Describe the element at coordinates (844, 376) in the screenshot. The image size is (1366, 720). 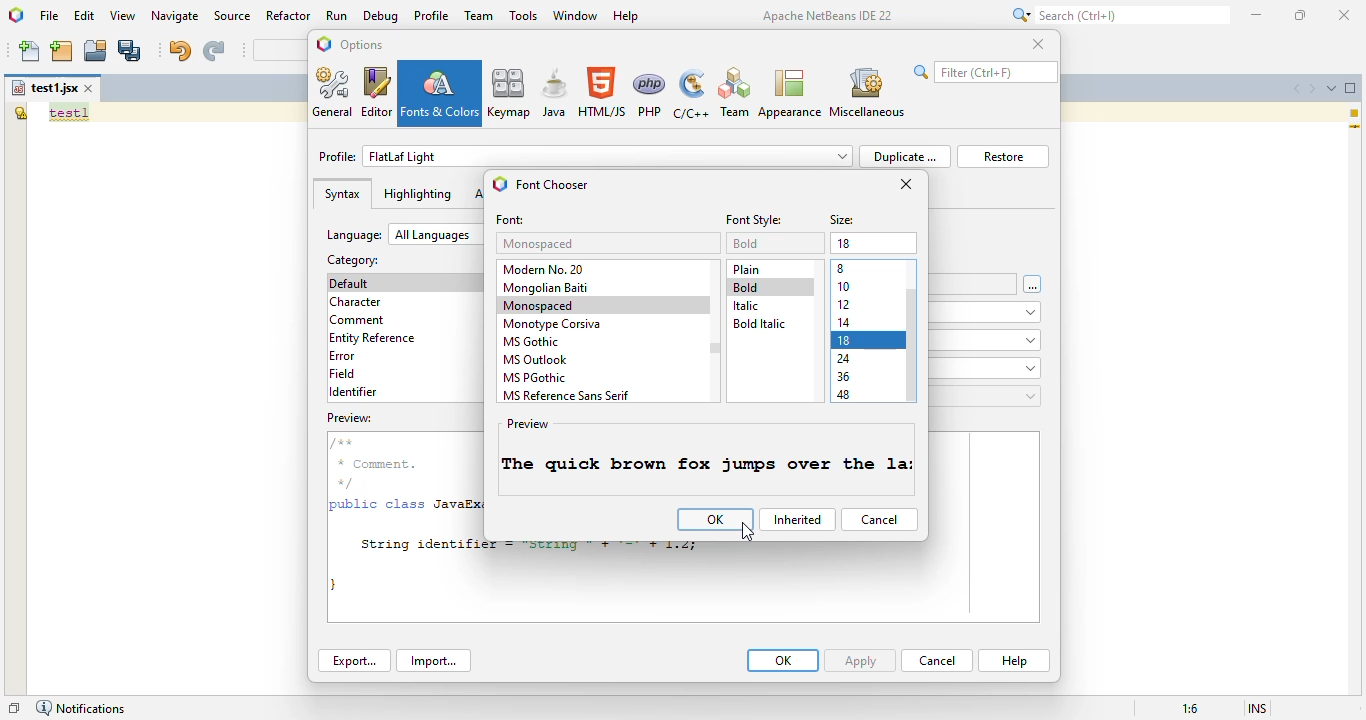
I see `36` at that location.